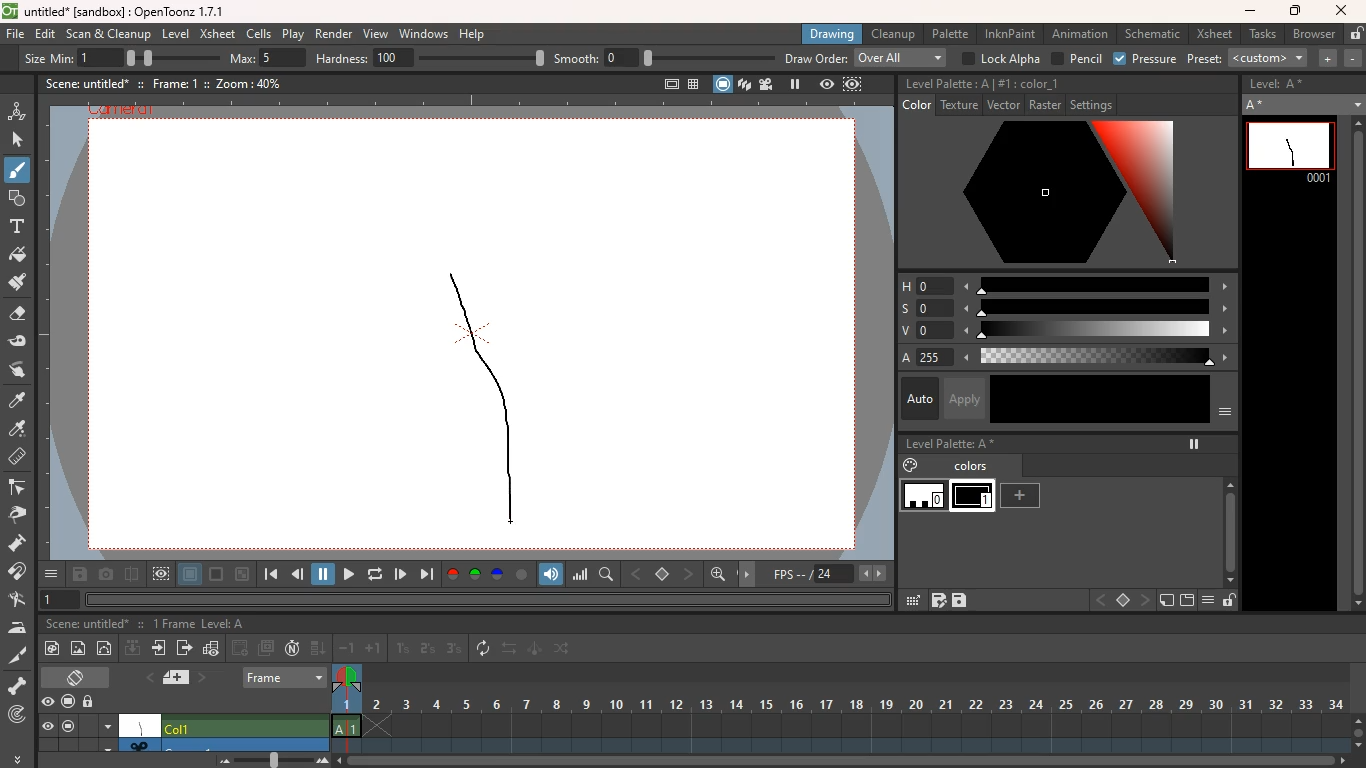 The height and width of the screenshot is (768, 1366). Describe the element at coordinates (834, 33) in the screenshot. I see `drawing` at that location.